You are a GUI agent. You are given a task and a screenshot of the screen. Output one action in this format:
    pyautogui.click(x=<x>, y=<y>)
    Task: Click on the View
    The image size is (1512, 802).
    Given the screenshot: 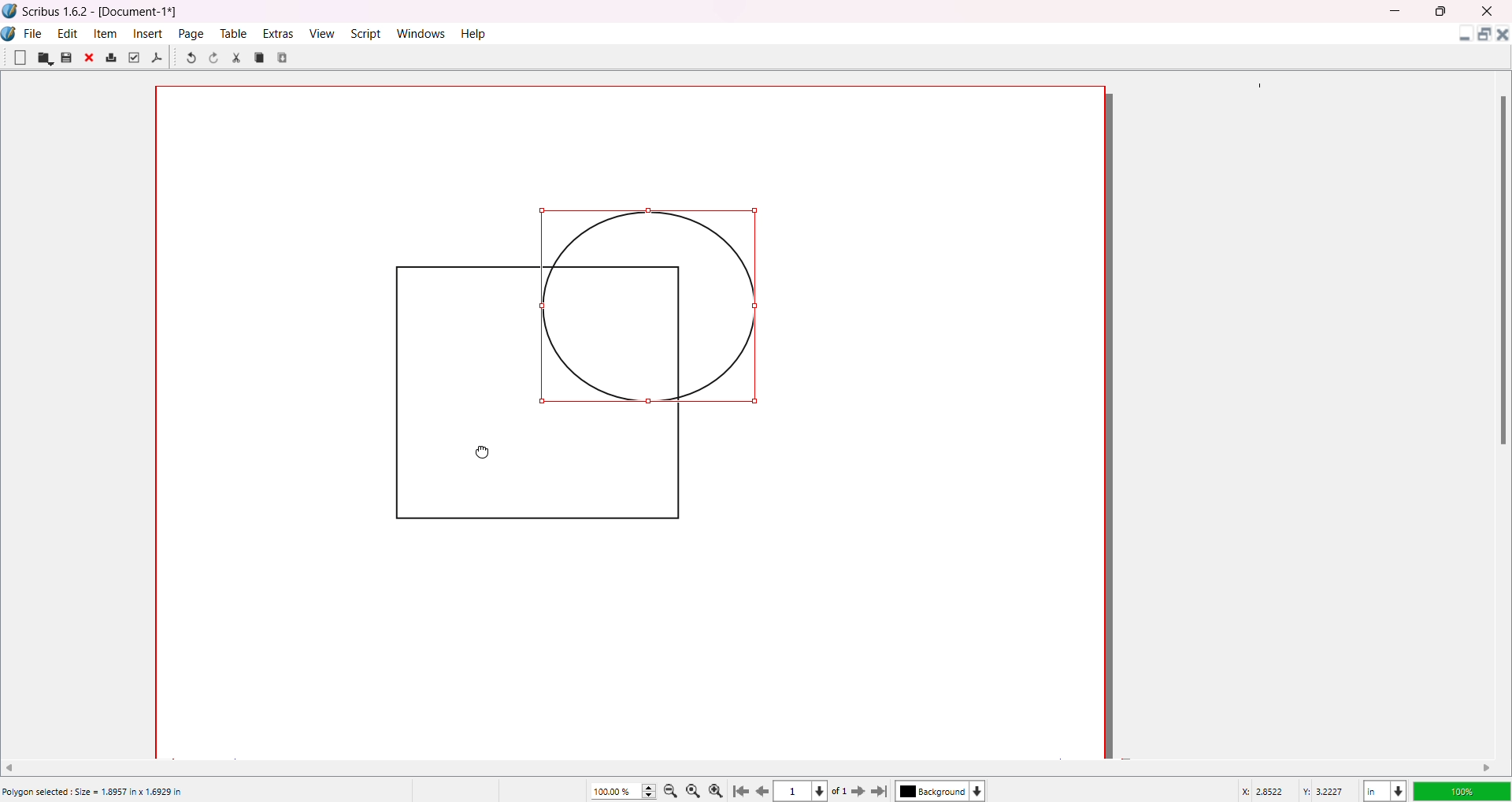 What is the action you would take?
    pyautogui.click(x=321, y=32)
    